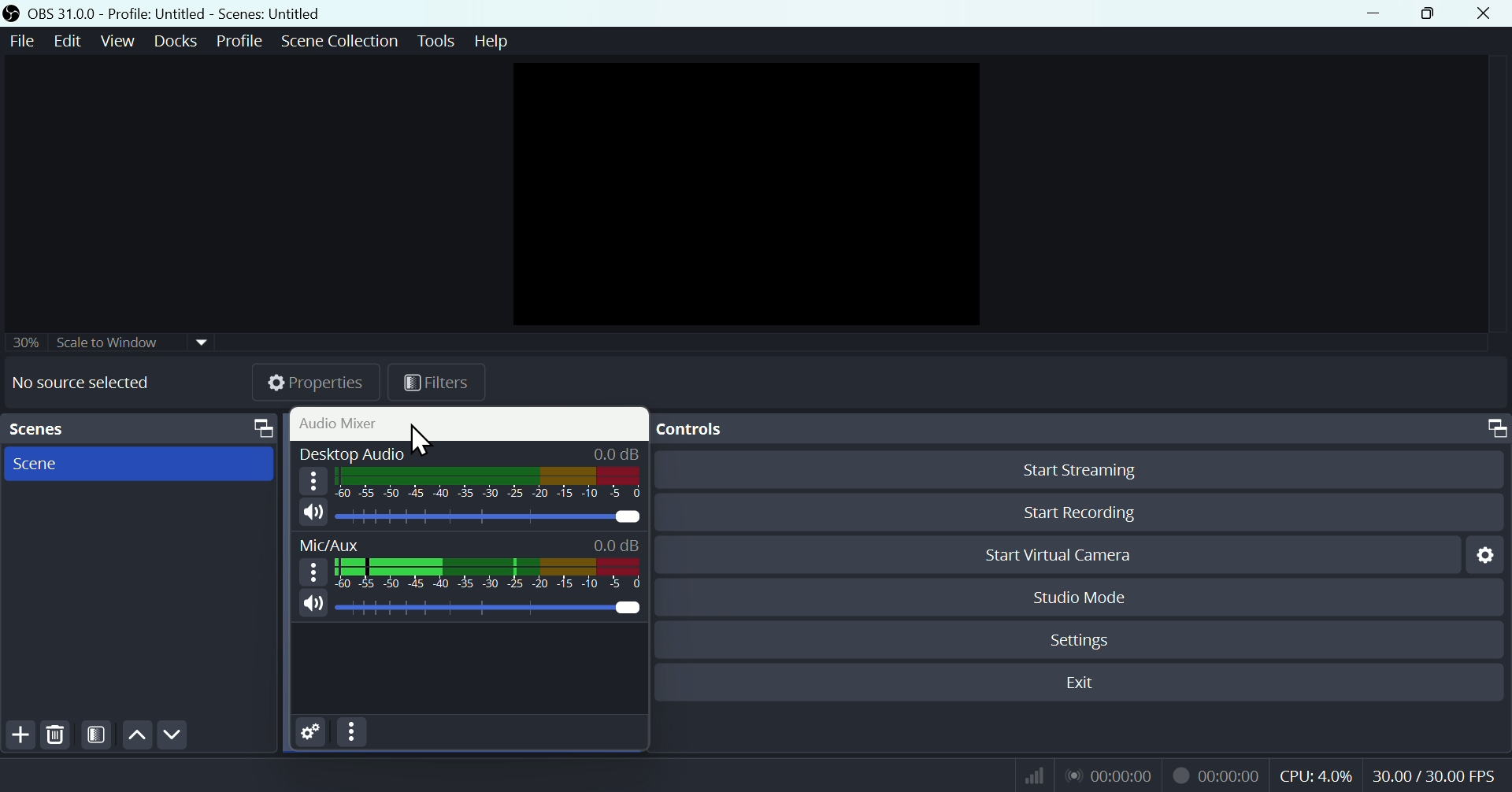  I want to click on Mic/Aux, so click(331, 544).